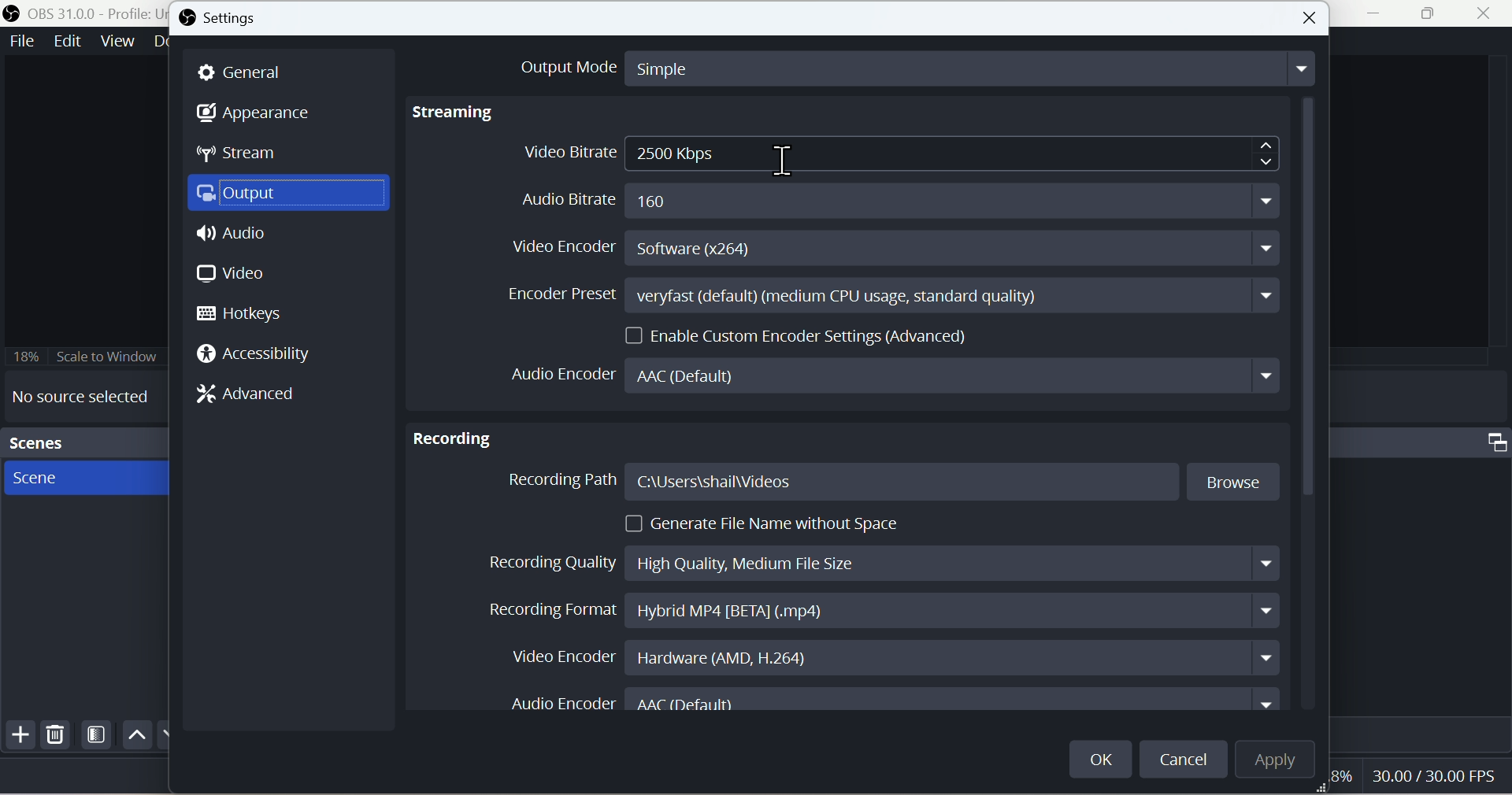 This screenshot has width=1512, height=795. Describe the element at coordinates (1311, 18) in the screenshot. I see `` at that location.